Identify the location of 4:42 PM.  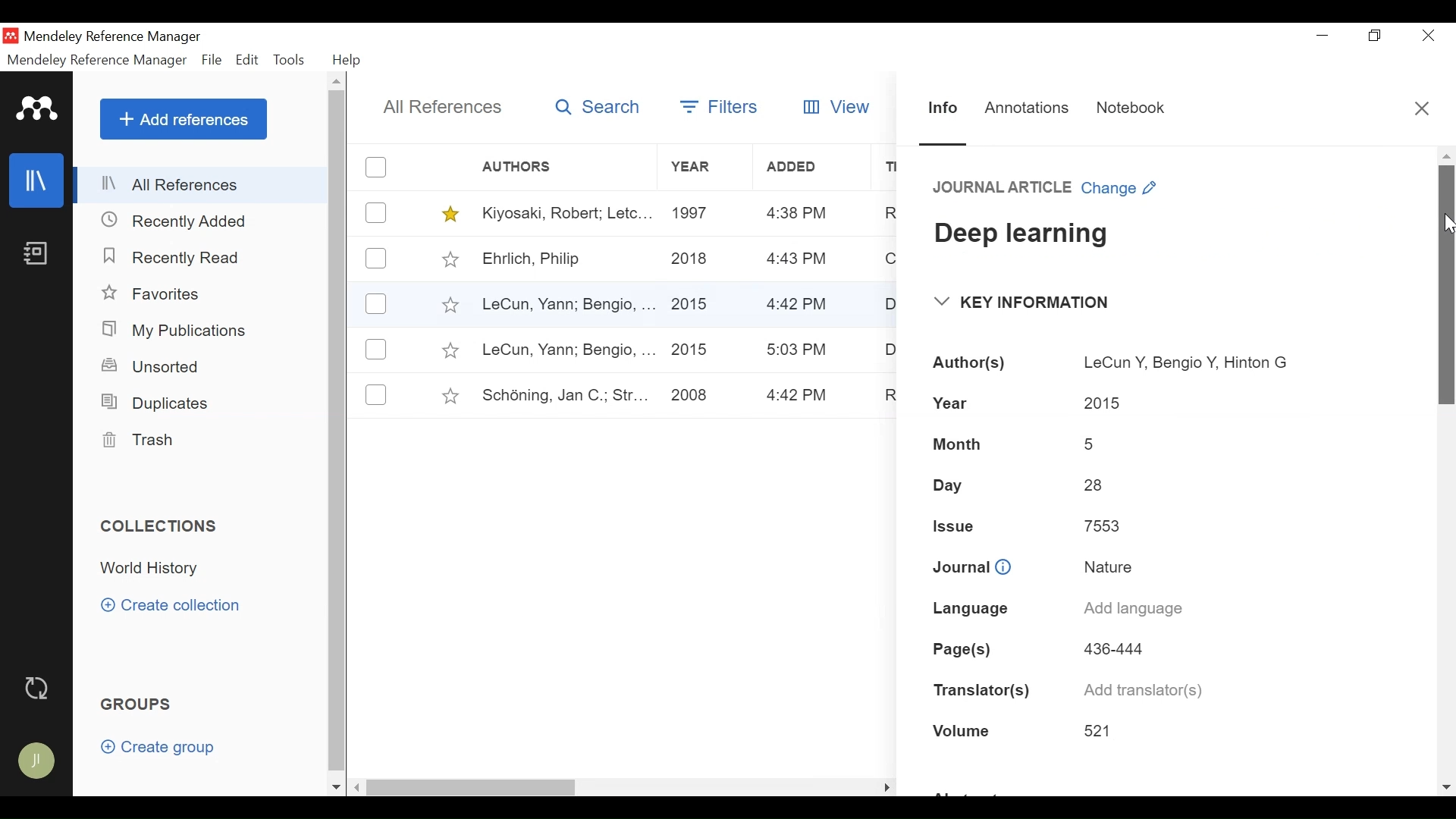
(799, 306).